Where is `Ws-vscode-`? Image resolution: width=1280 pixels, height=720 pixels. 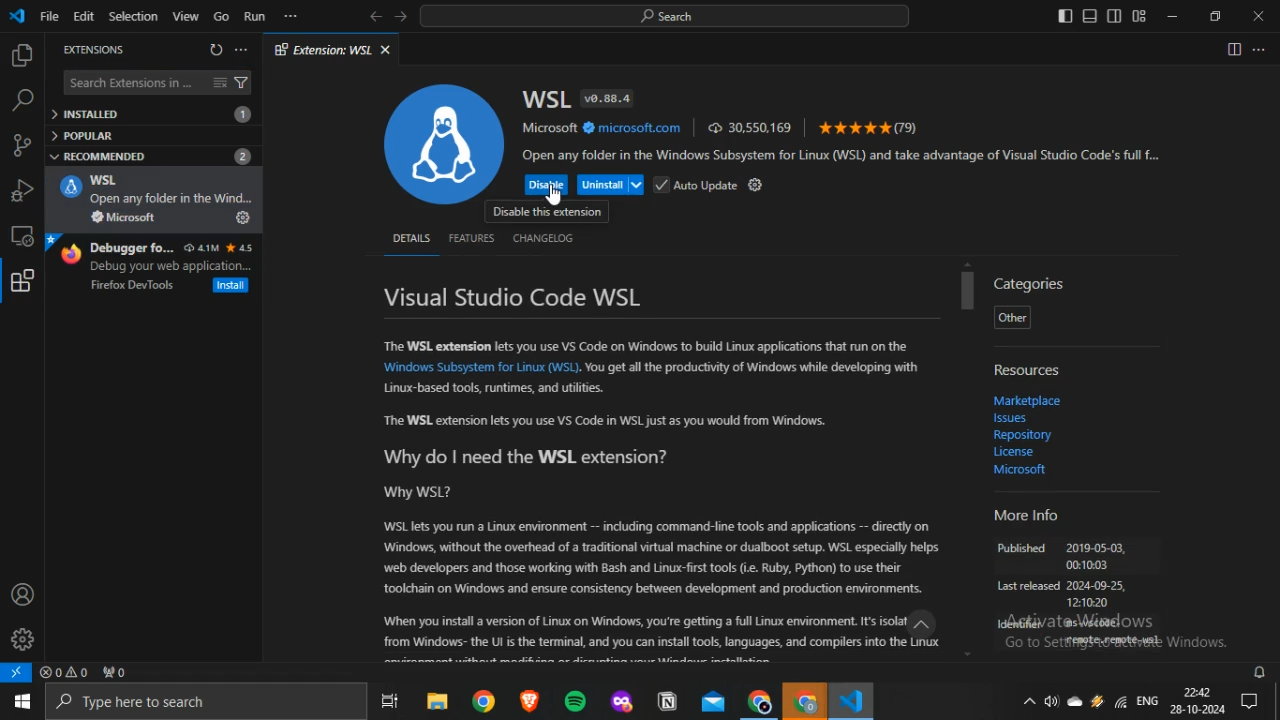 Ws-vscode- is located at coordinates (1089, 624).